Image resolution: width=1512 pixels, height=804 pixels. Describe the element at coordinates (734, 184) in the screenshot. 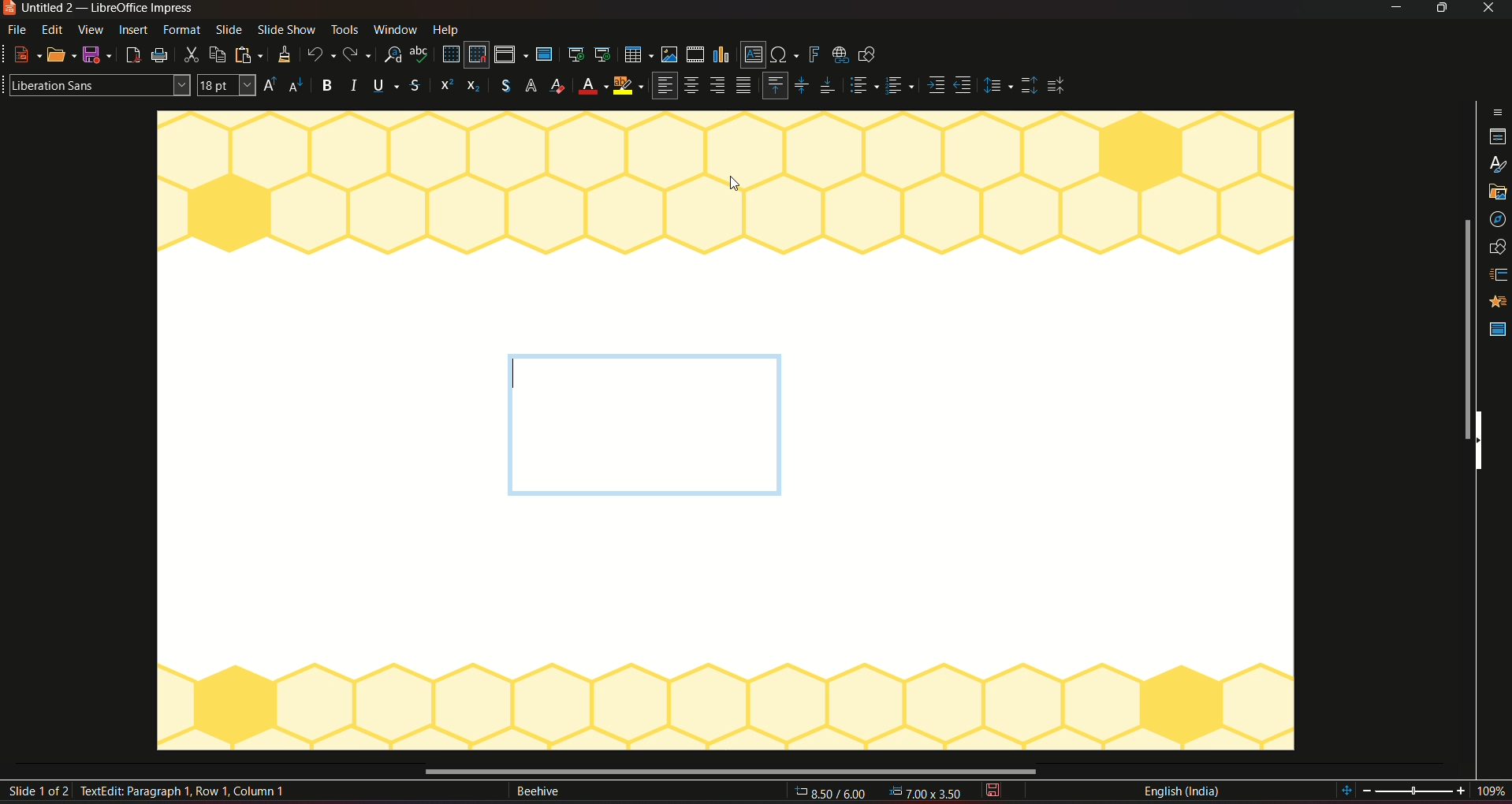

I see `cursor` at that location.